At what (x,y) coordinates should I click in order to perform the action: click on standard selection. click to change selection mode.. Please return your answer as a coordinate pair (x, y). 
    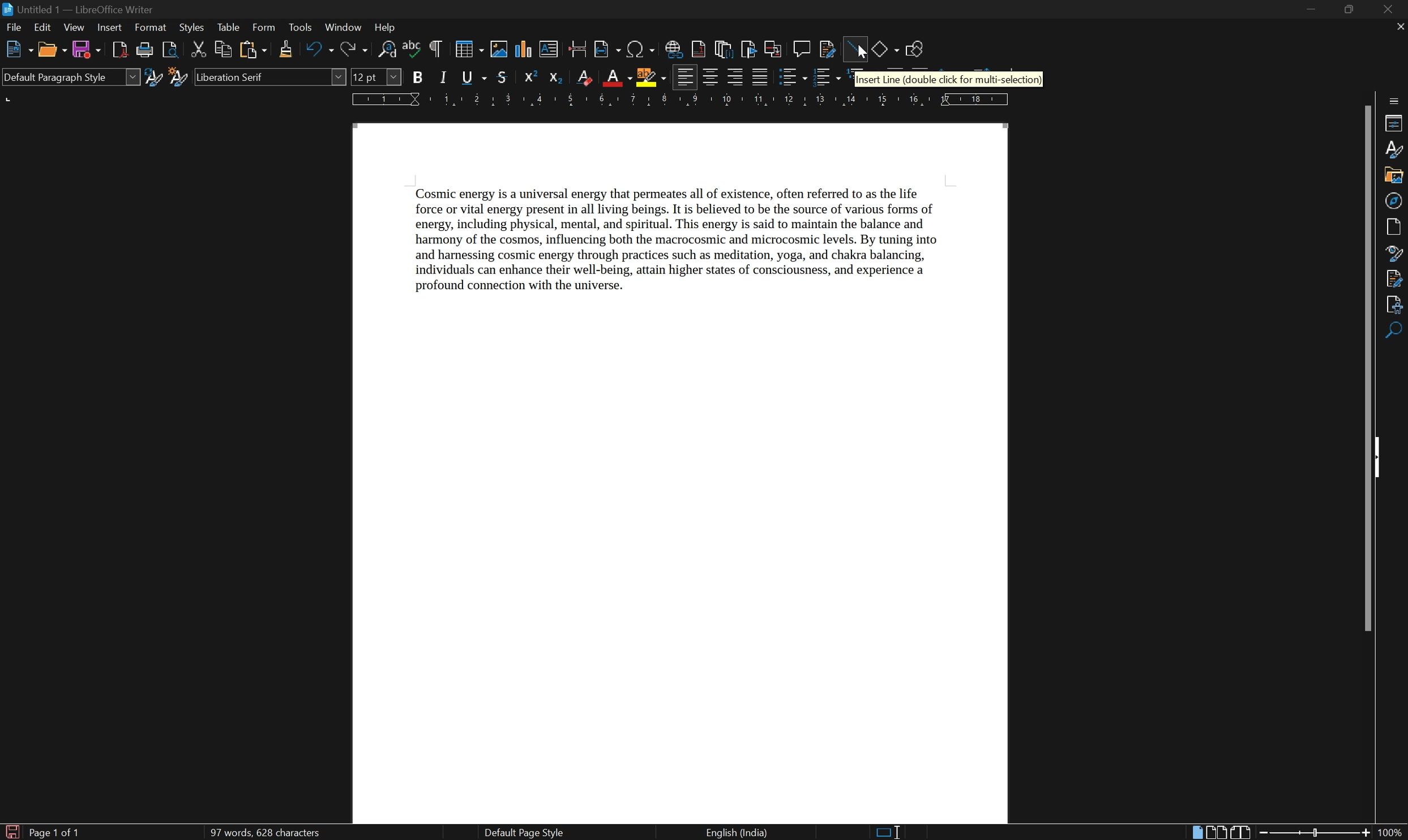
    Looking at the image, I should click on (889, 832).